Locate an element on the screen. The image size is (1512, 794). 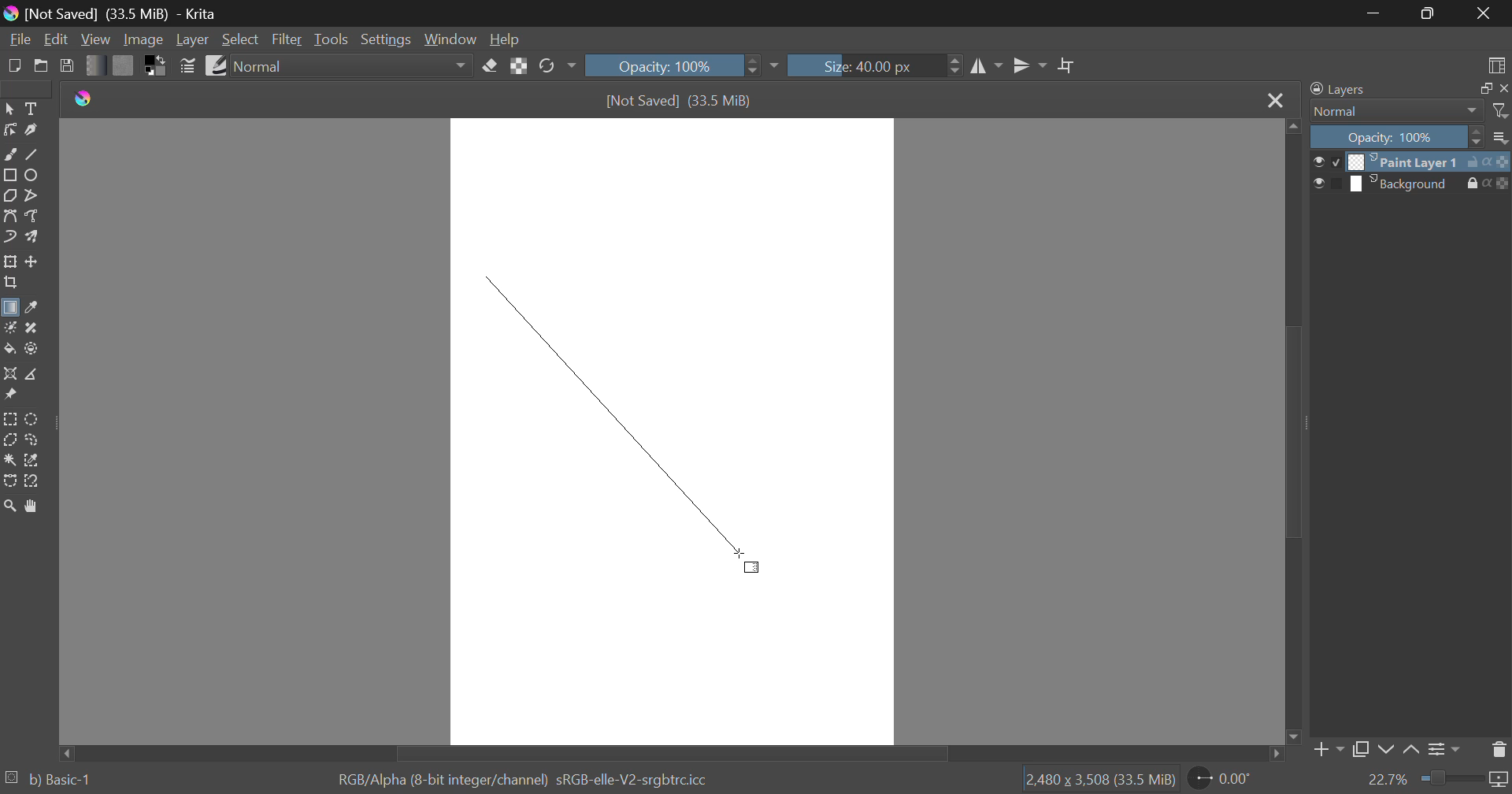
Zoom is located at coordinates (9, 506).